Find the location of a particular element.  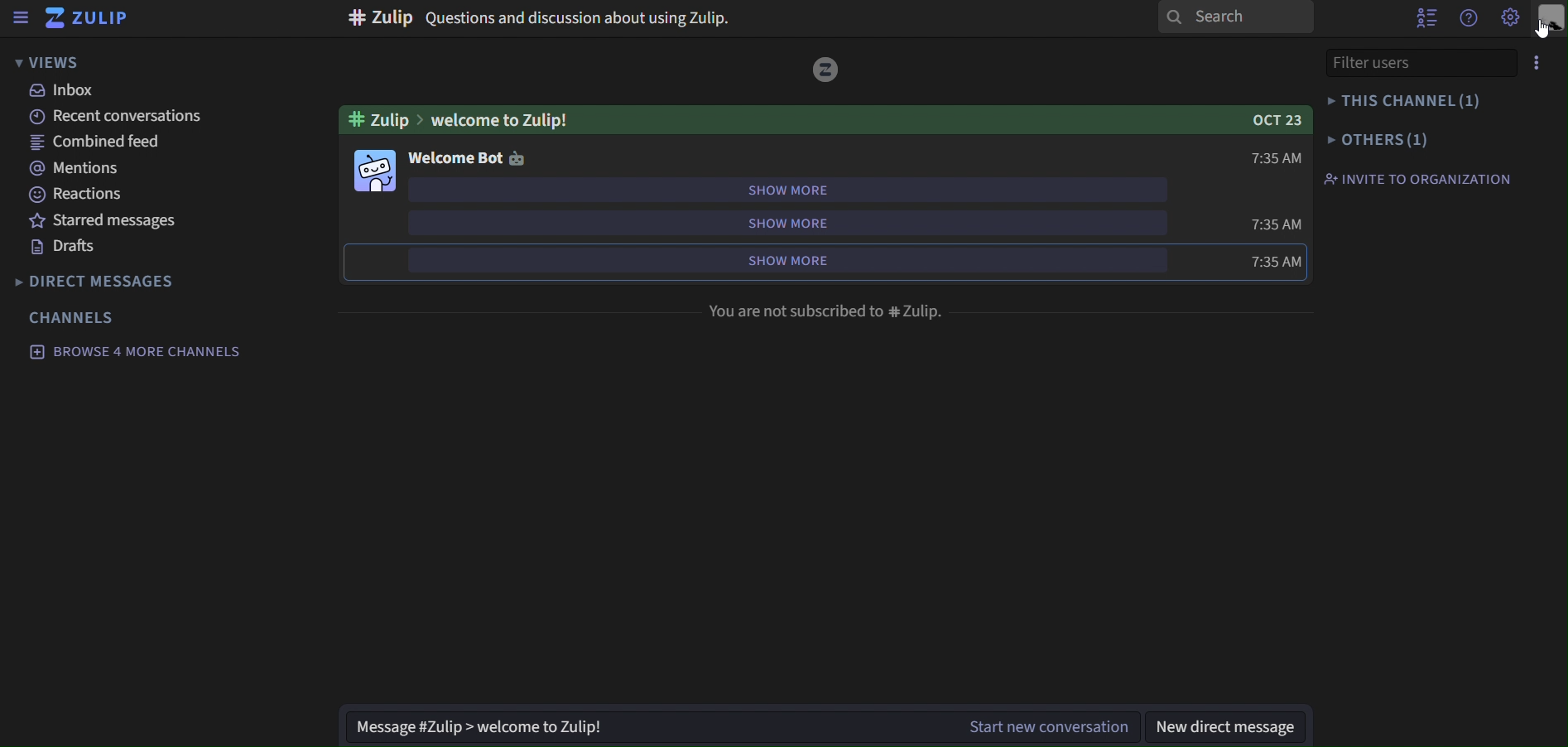

7:35 AM is located at coordinates (1273, 224).